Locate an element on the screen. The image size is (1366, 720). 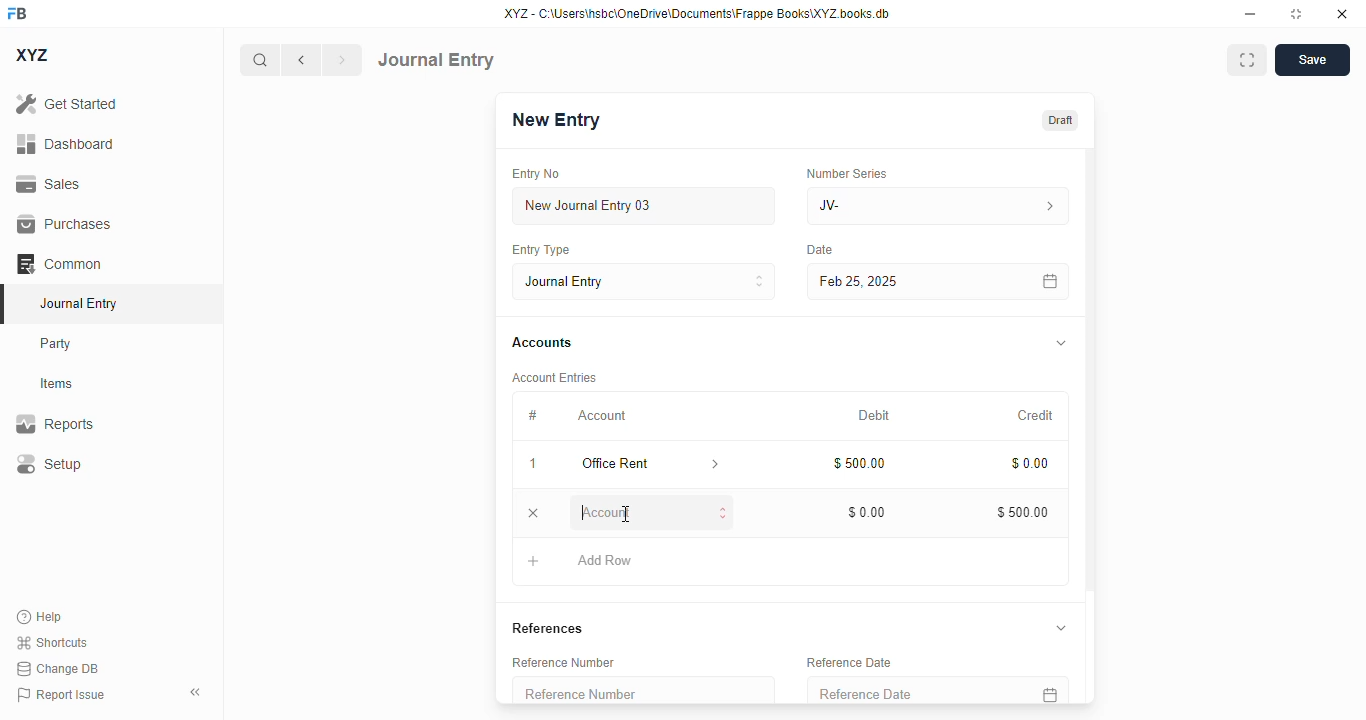
shortcuts is located at coordinates (51, 642).